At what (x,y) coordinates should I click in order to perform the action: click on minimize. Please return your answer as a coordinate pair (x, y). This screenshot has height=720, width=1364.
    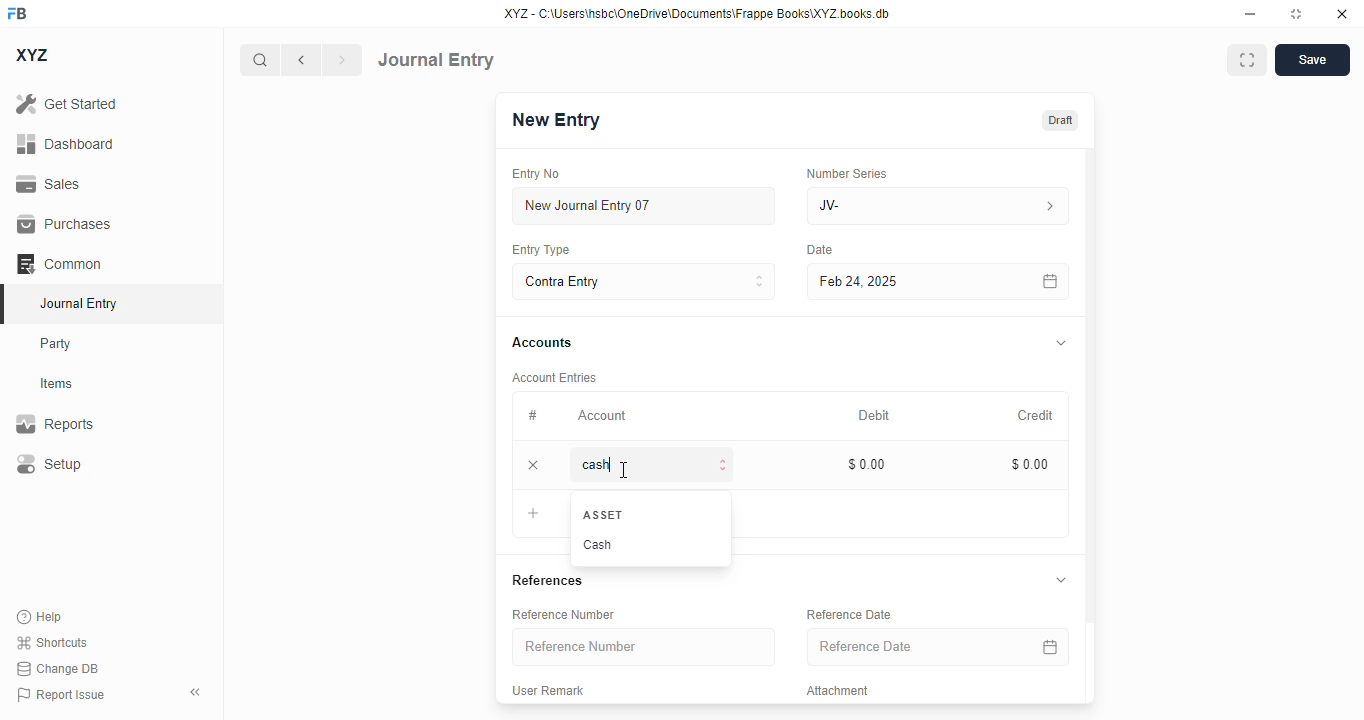
    Looking at the image, I should click on (1251, 14).